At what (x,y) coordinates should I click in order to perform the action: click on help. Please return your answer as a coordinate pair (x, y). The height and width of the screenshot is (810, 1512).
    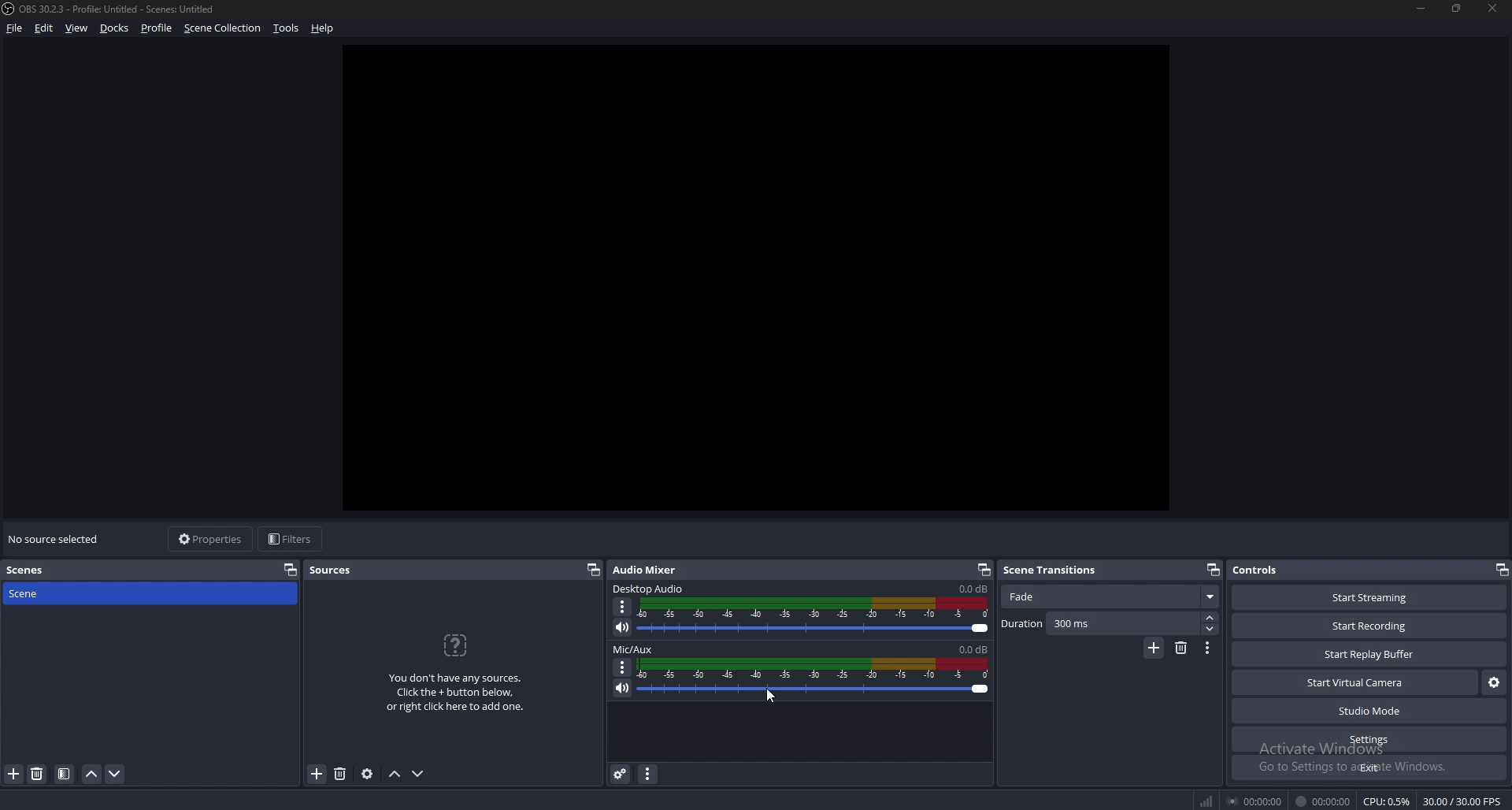
    Looking at the image, I should click on (323, 28).